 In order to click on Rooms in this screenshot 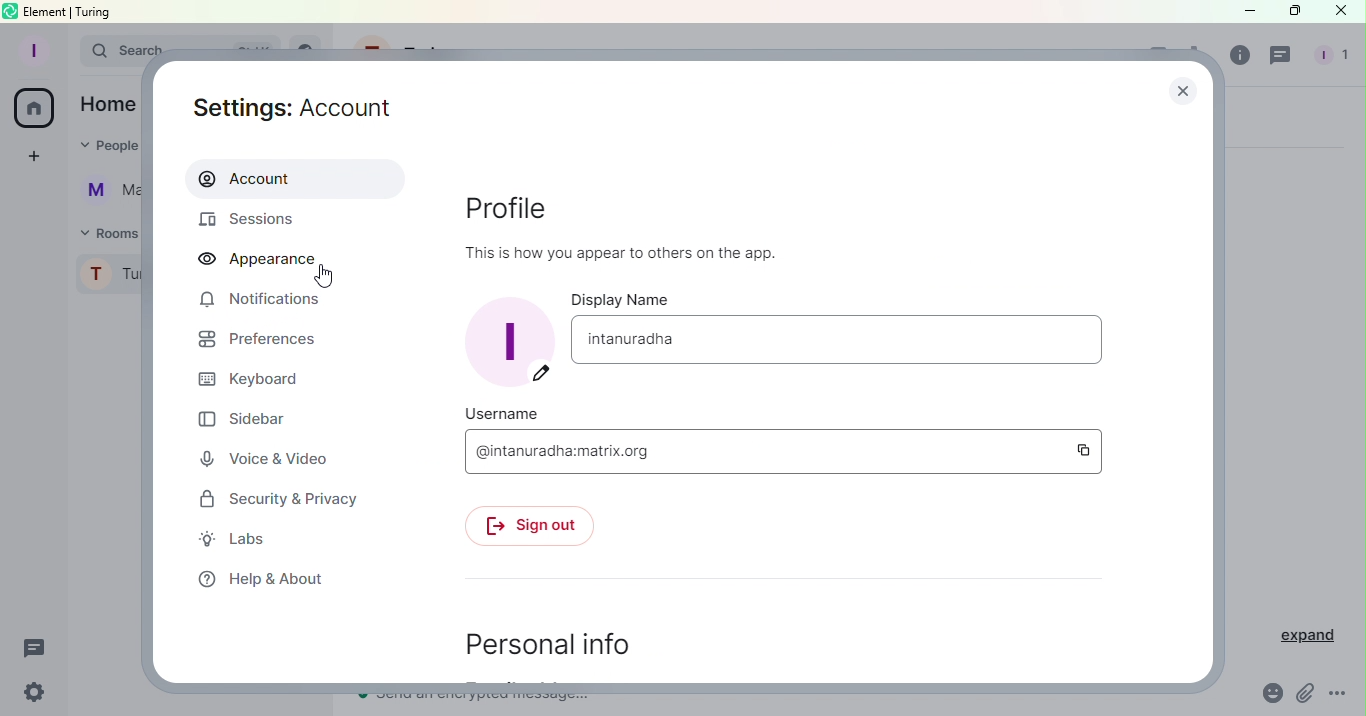, I will do `click(113, 233)`.